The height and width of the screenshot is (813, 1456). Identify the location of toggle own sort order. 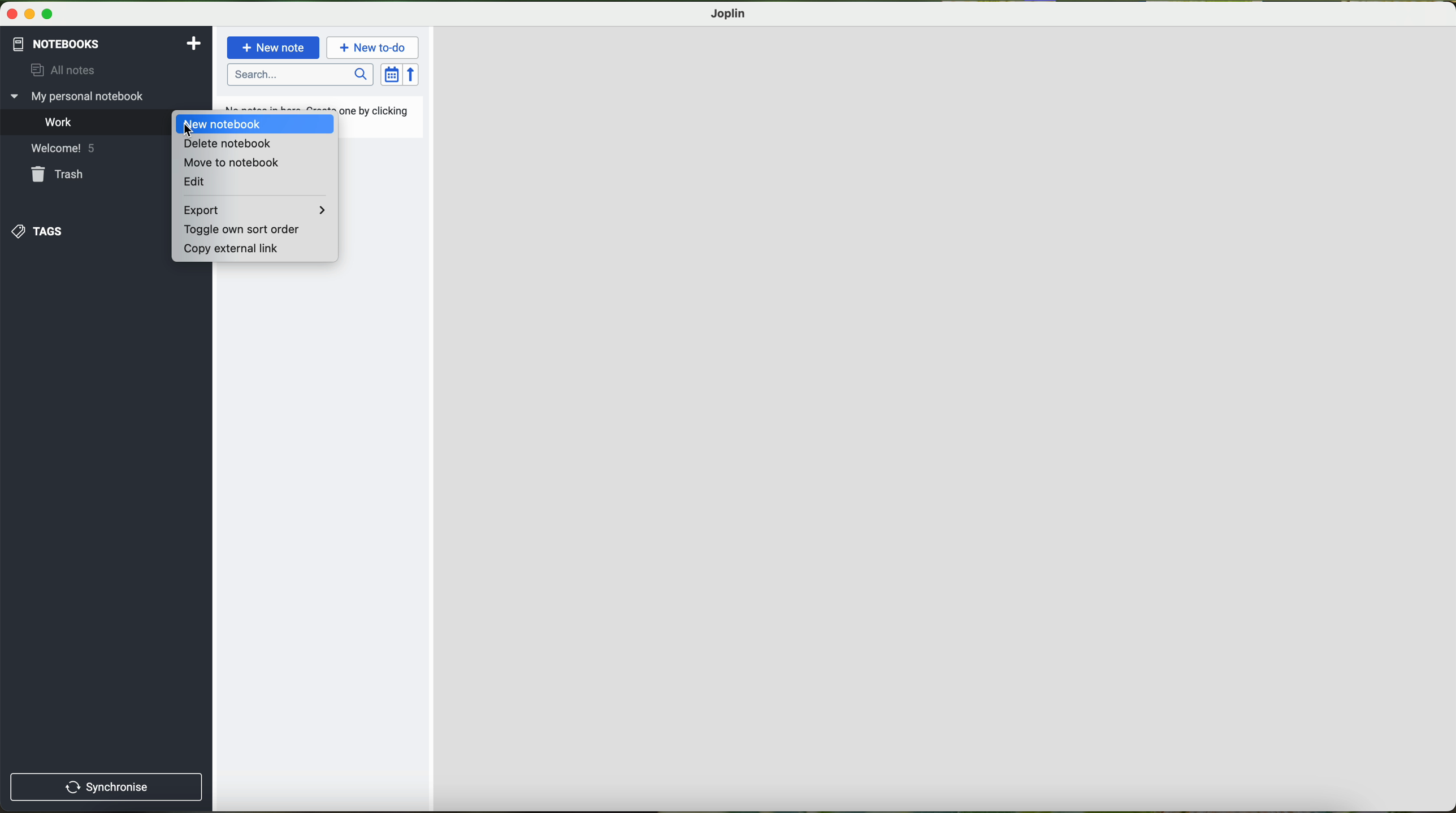
(242, 230).